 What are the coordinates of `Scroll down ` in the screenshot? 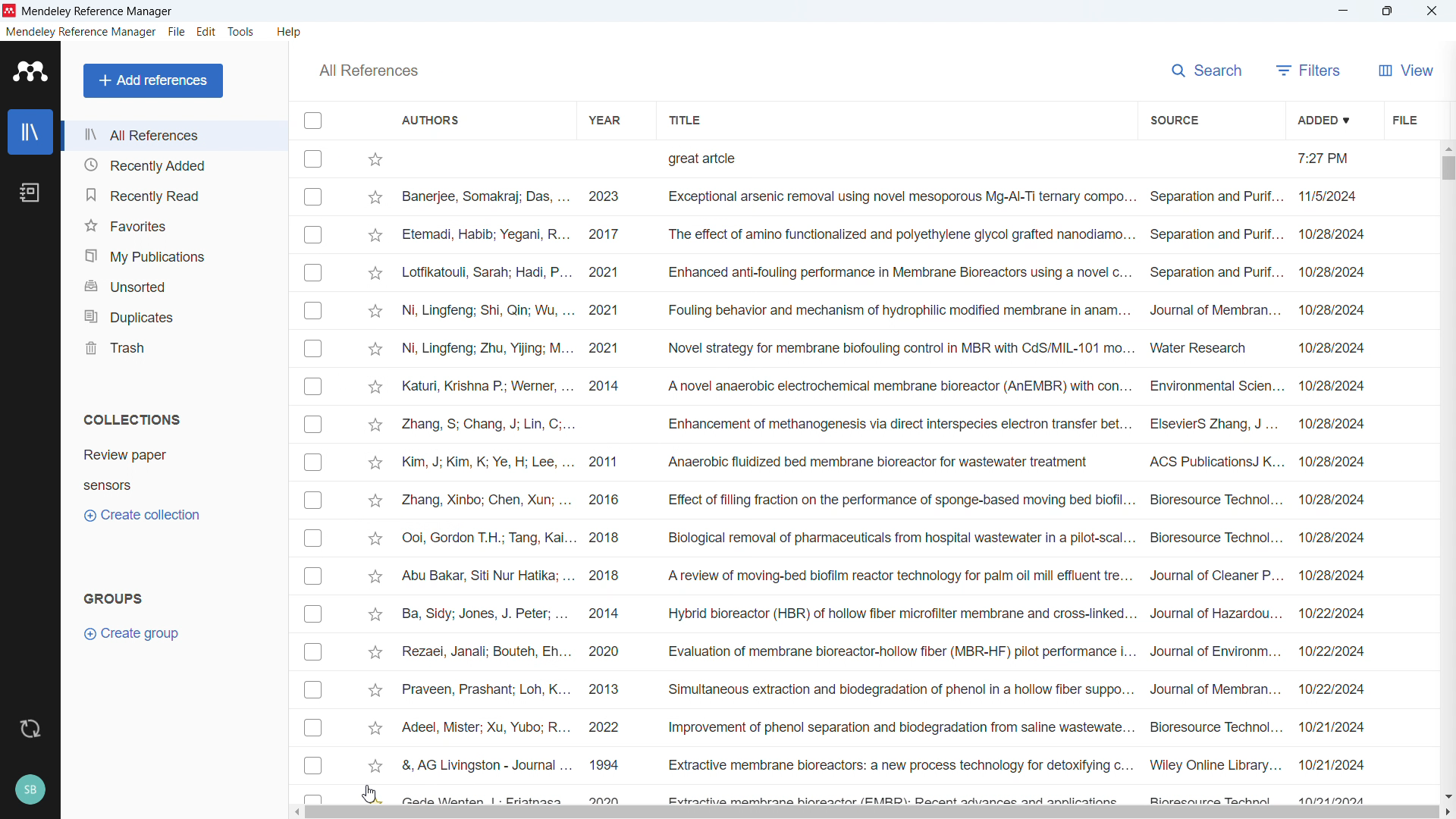 It's located at (1447, 796).